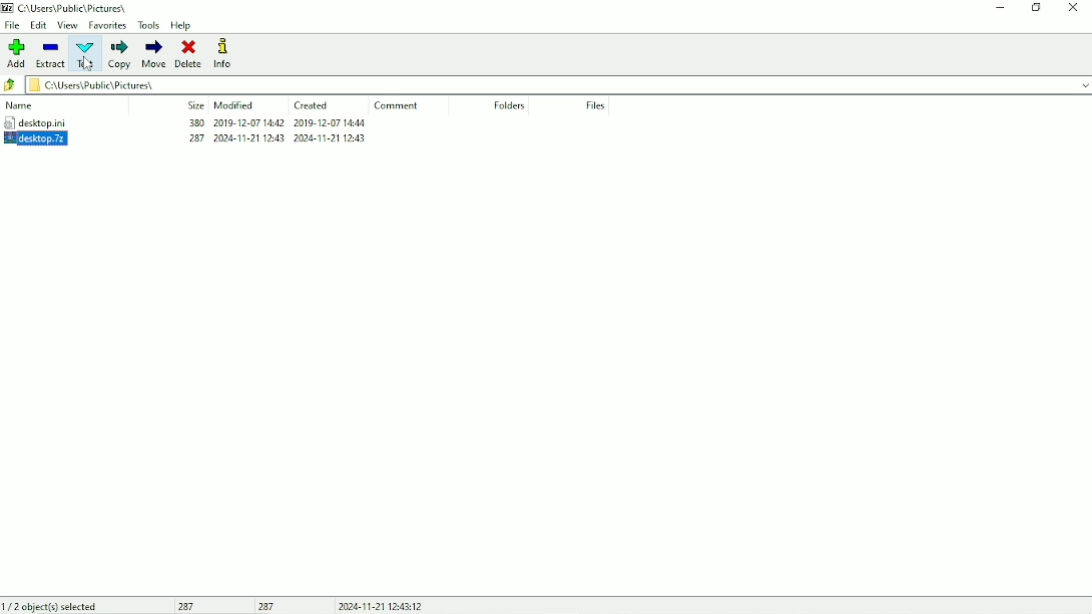 This screenshot has width=1092, height=614. I want to click on Test, so click(88, 55).